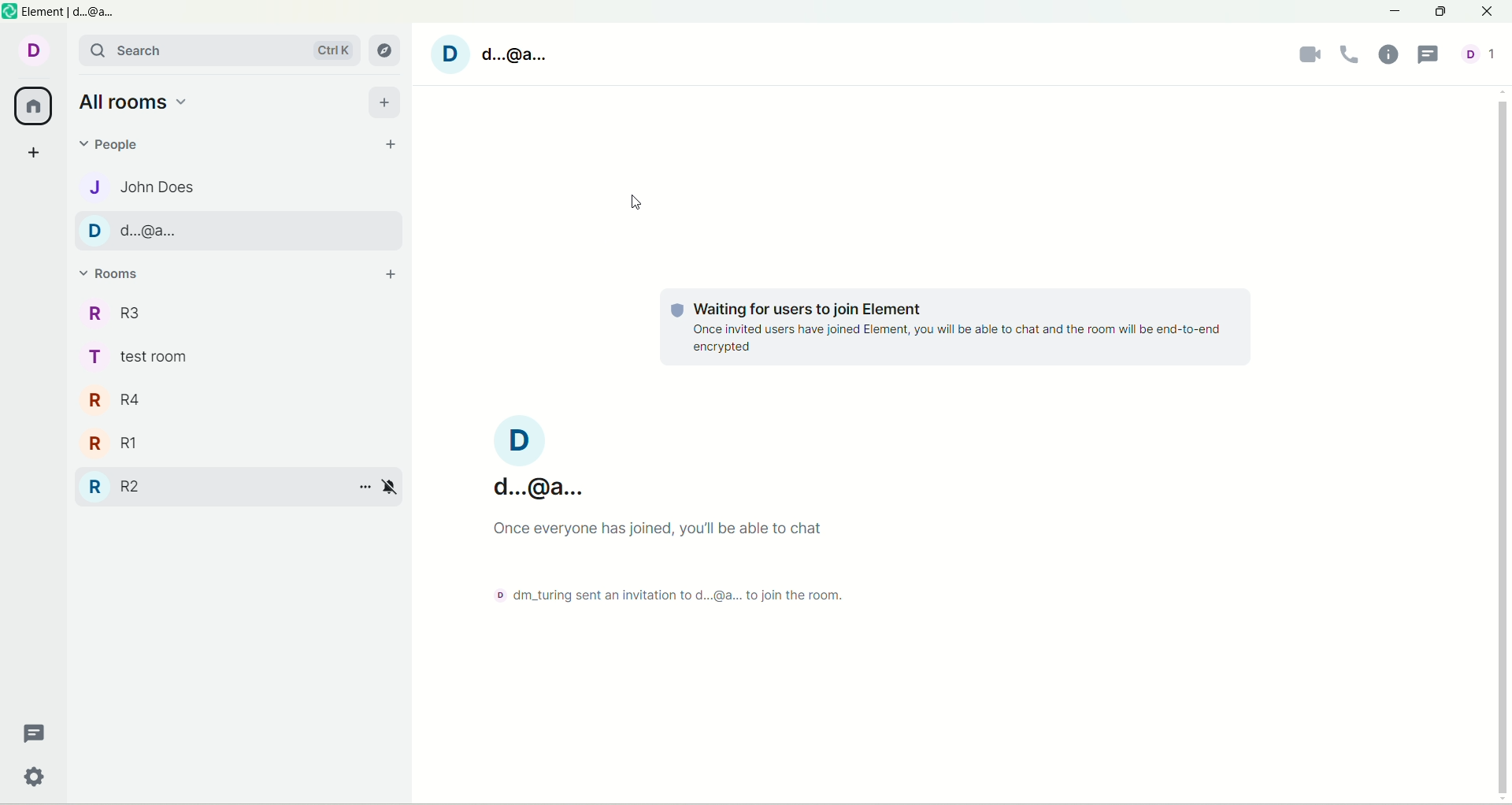 This screenshot has width=1512, height=805. I want to click on start chat, so click(387, 149).